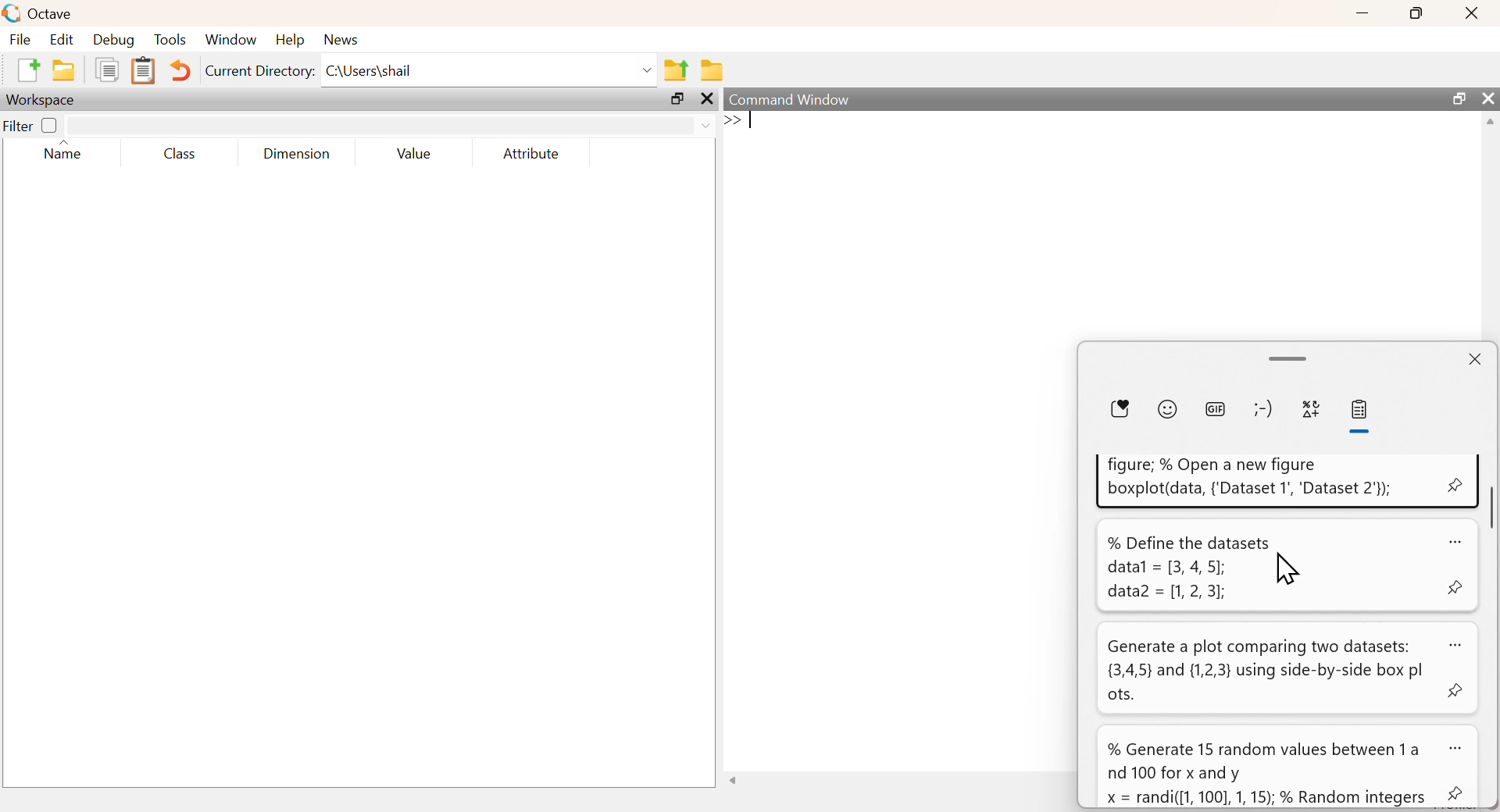  What do you see at coordinates (1186, 568) in the screenshot?
I see `% Define the datasets
datal = [3, 4, 5];
data2 = [1, 2, 3];` at bounding box center [1186, 568].